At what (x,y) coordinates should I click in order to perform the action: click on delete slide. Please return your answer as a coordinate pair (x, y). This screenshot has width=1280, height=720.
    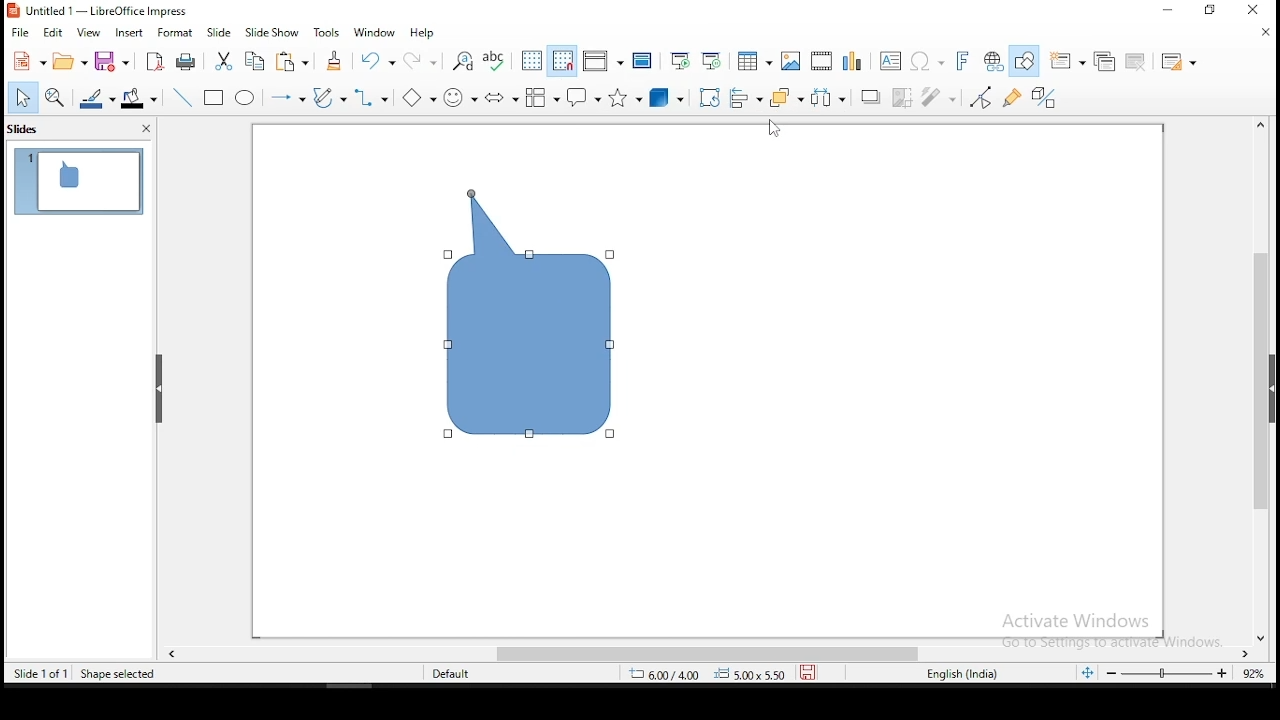
    Looking at the image, I should click on (1139, 61).